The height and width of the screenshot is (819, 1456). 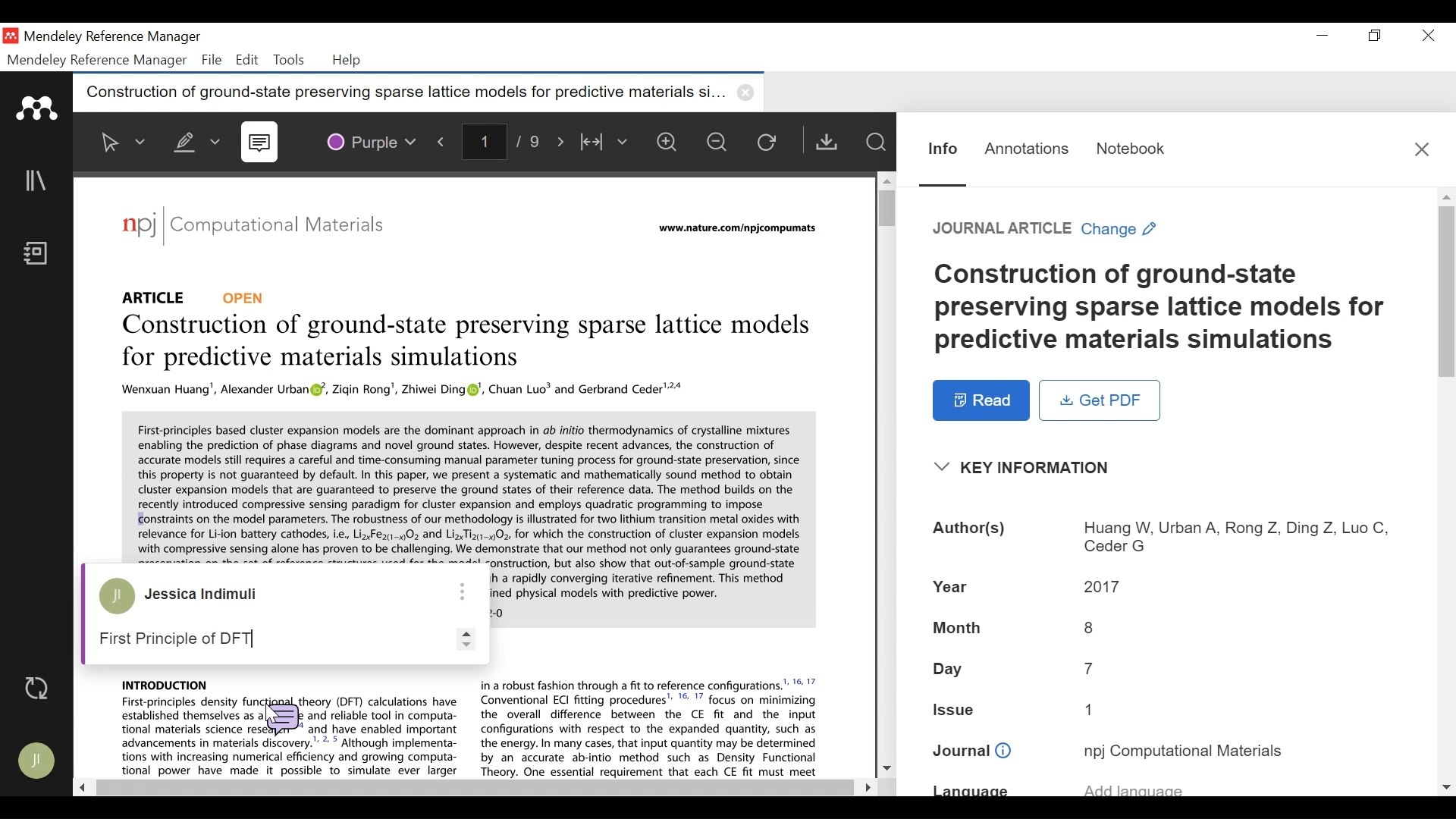 I want to click on Restore, so click(x=1373, y=36).